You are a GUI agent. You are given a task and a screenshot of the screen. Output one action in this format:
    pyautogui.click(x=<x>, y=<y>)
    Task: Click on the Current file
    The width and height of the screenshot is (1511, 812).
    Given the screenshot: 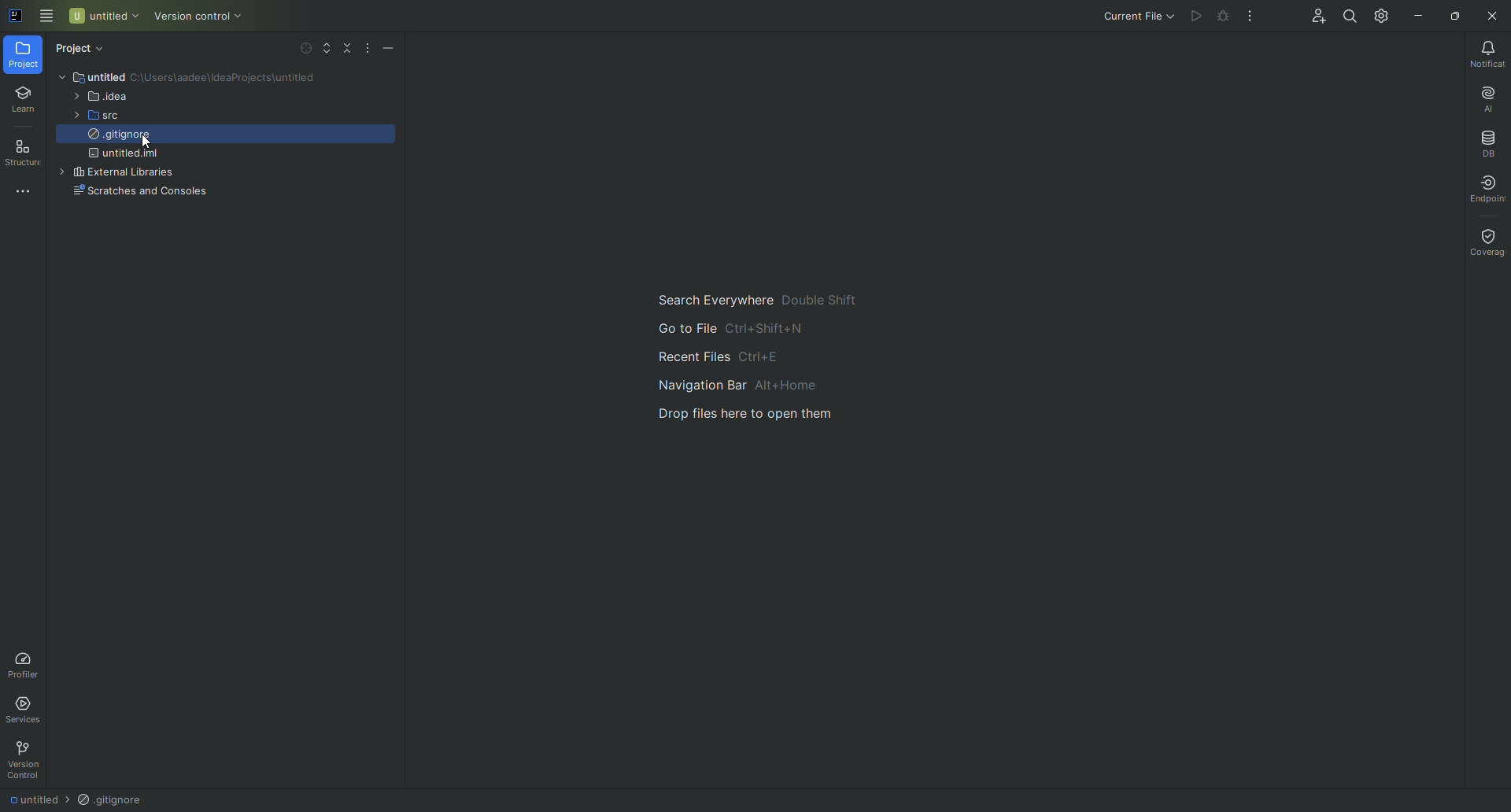 What is the action you would take?
    pyautogui.click(x=1132, y=15)
    